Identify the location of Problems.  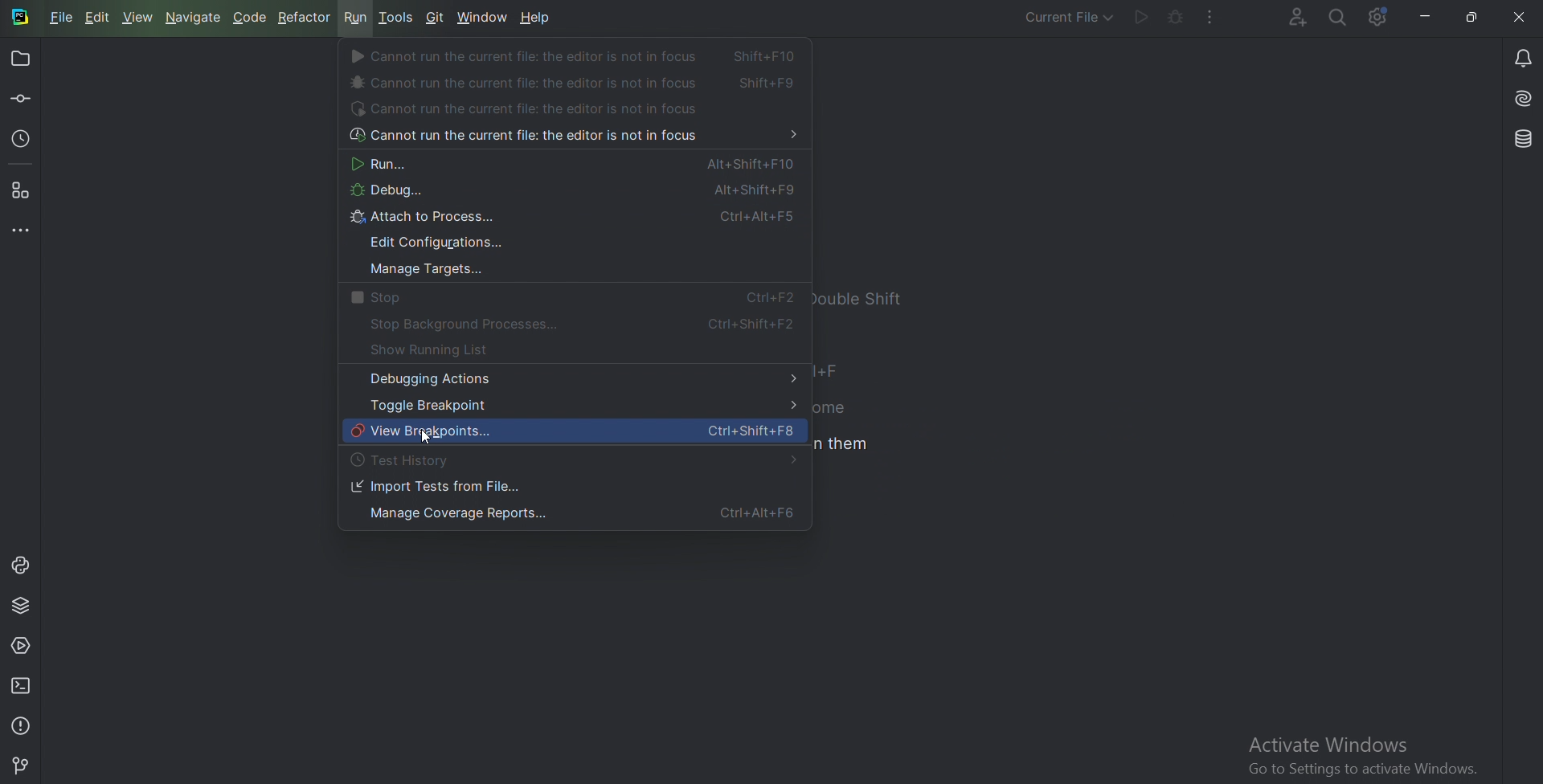
(23, 724).